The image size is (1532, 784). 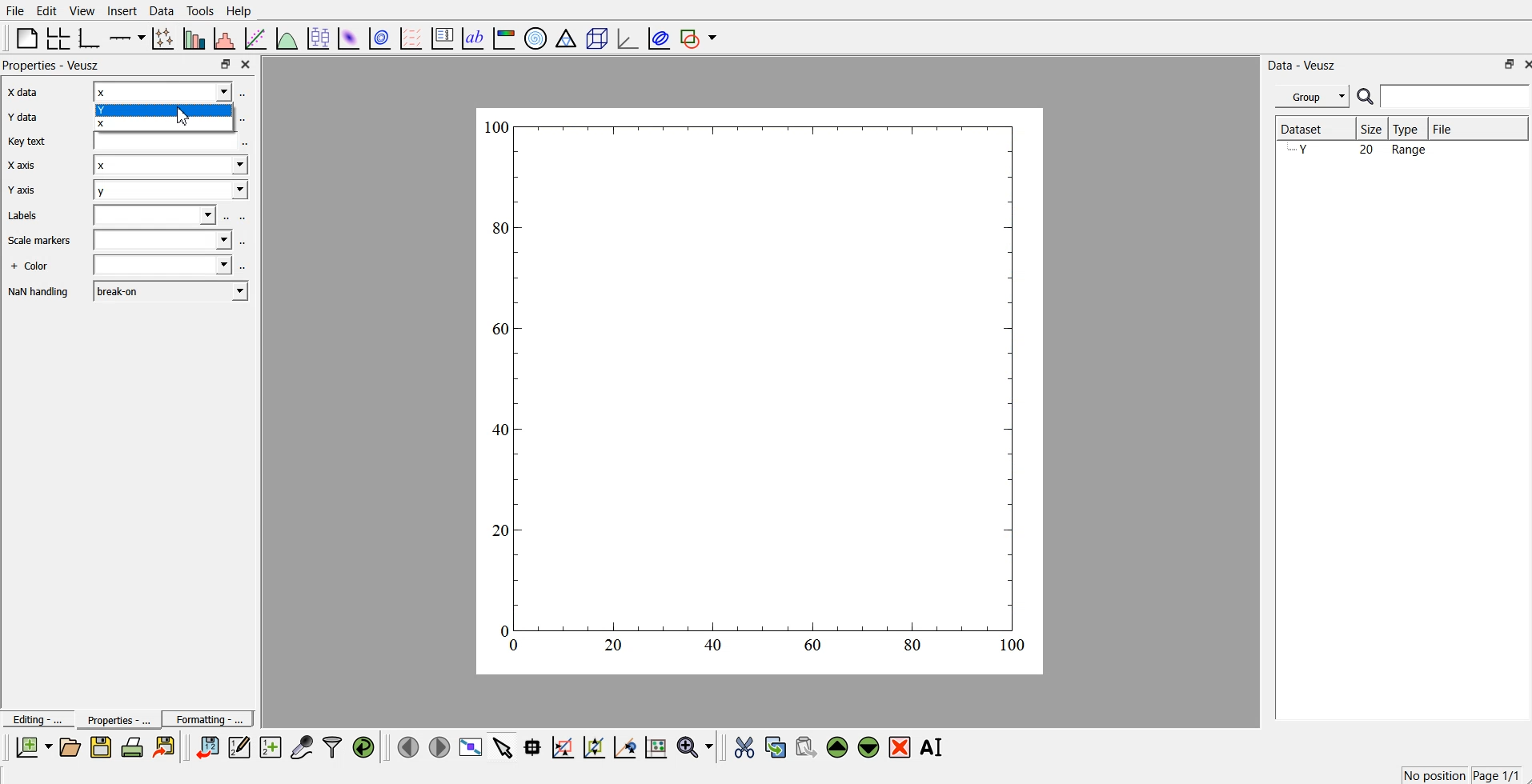 What do you see at coordinates (287, 38) in the screenshot?
I see `plot a function` at bounding box center [287, 38].